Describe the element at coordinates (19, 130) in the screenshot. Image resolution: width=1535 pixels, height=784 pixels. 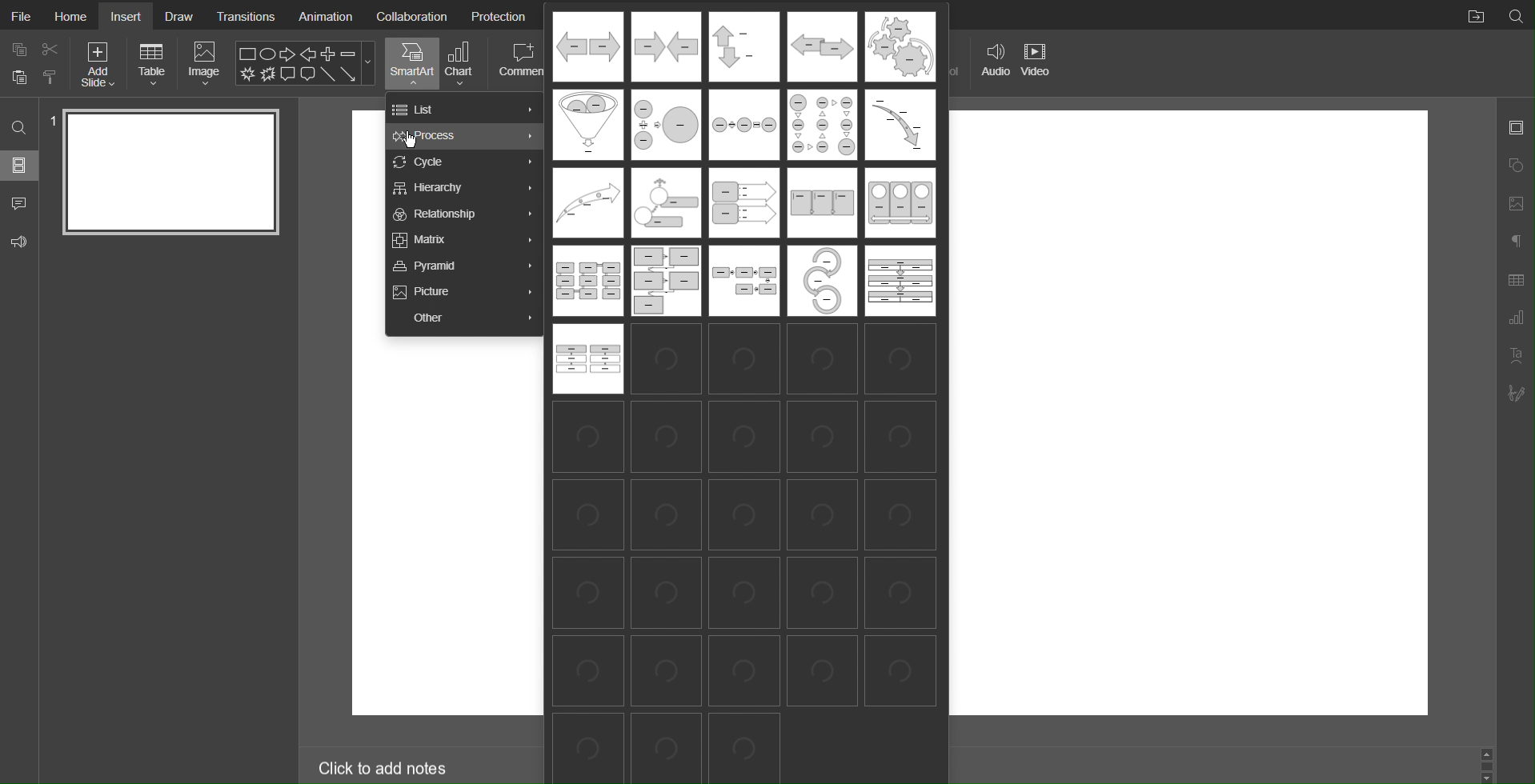
I see `Search` at that location.